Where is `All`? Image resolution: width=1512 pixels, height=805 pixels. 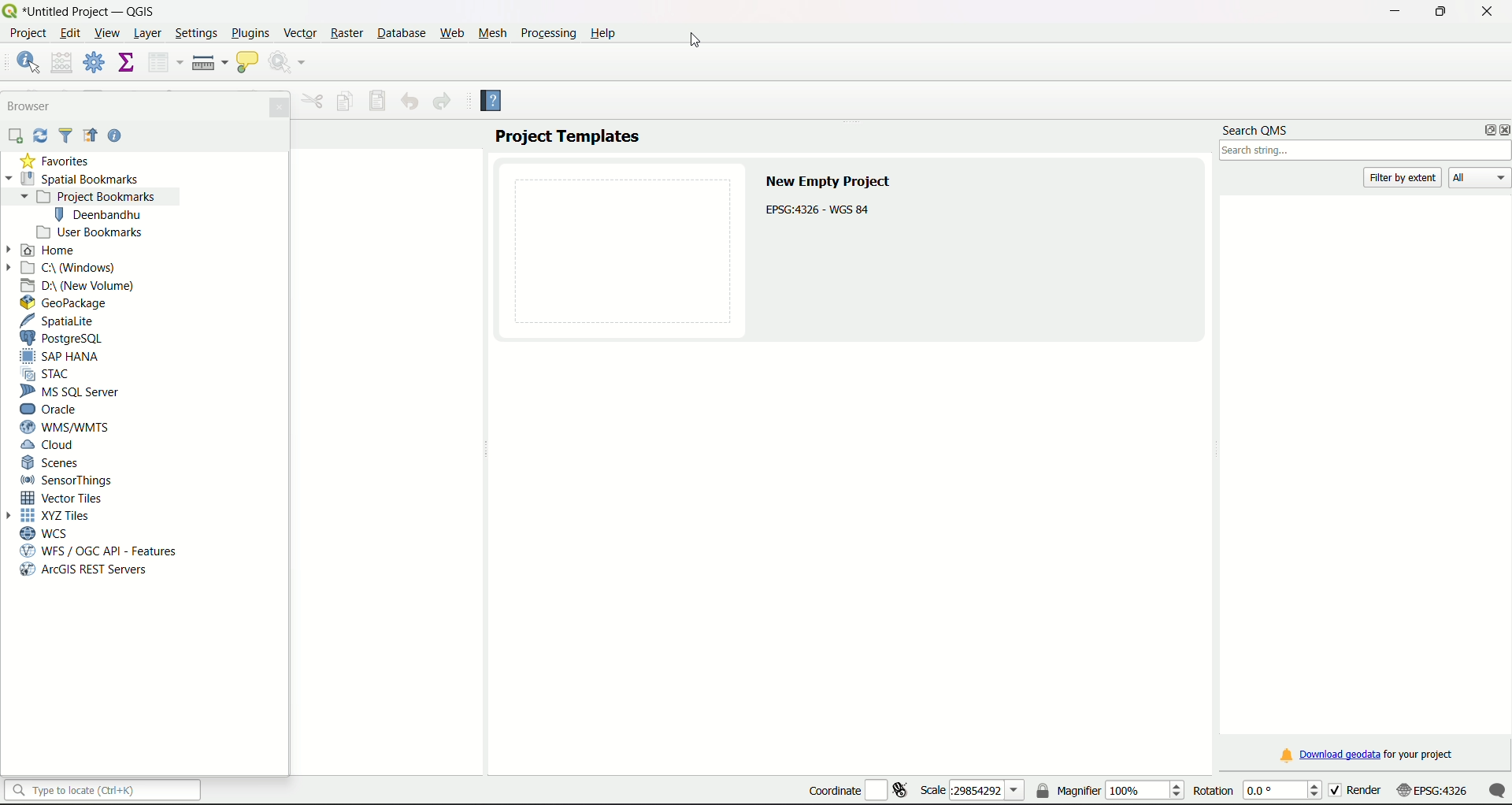
All is located at coordinates (1480, 177).